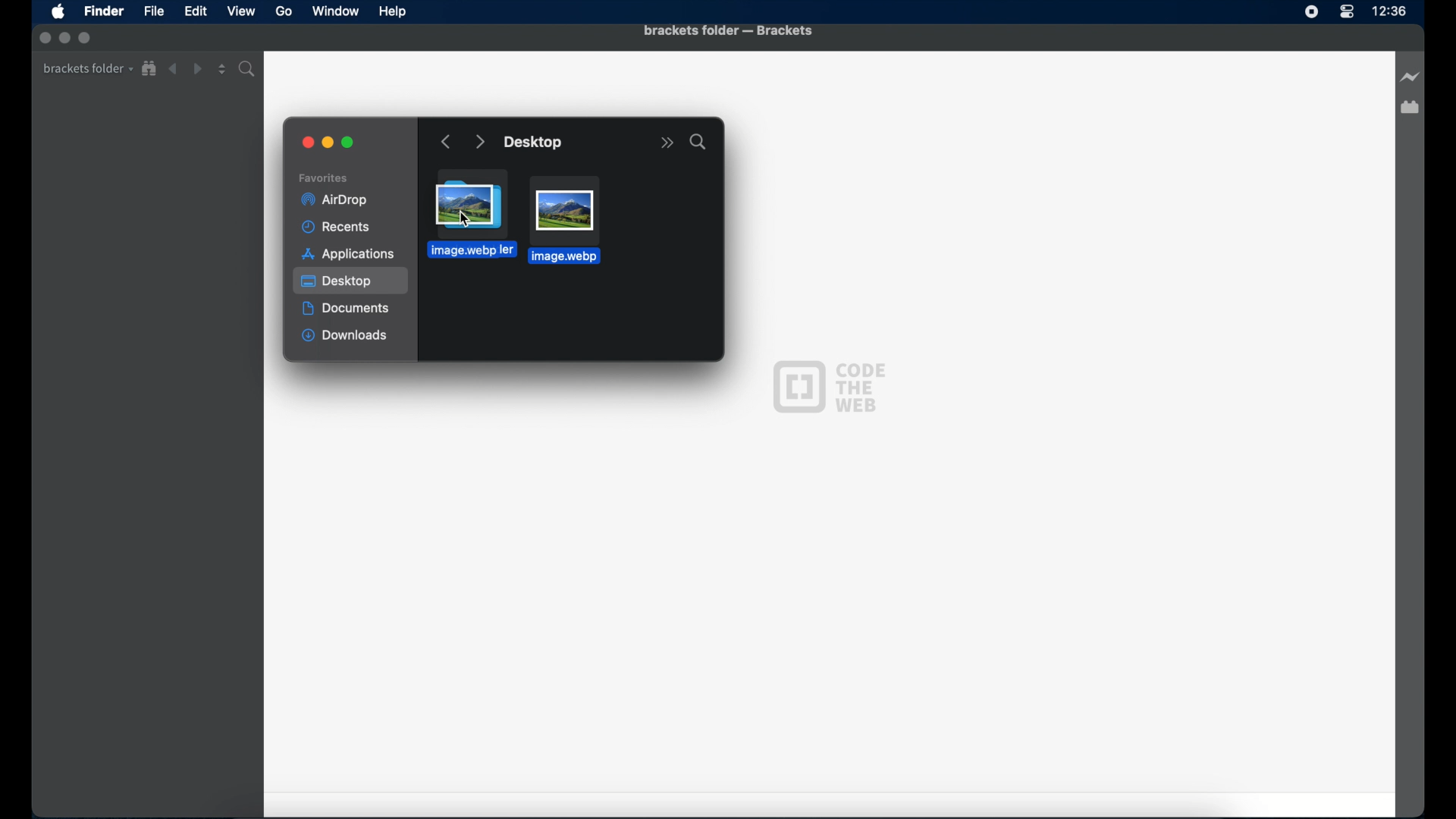  What do you see at coordinates (393, 12) in the screenshot?
I see `Help` at bounding box center [393, 12].